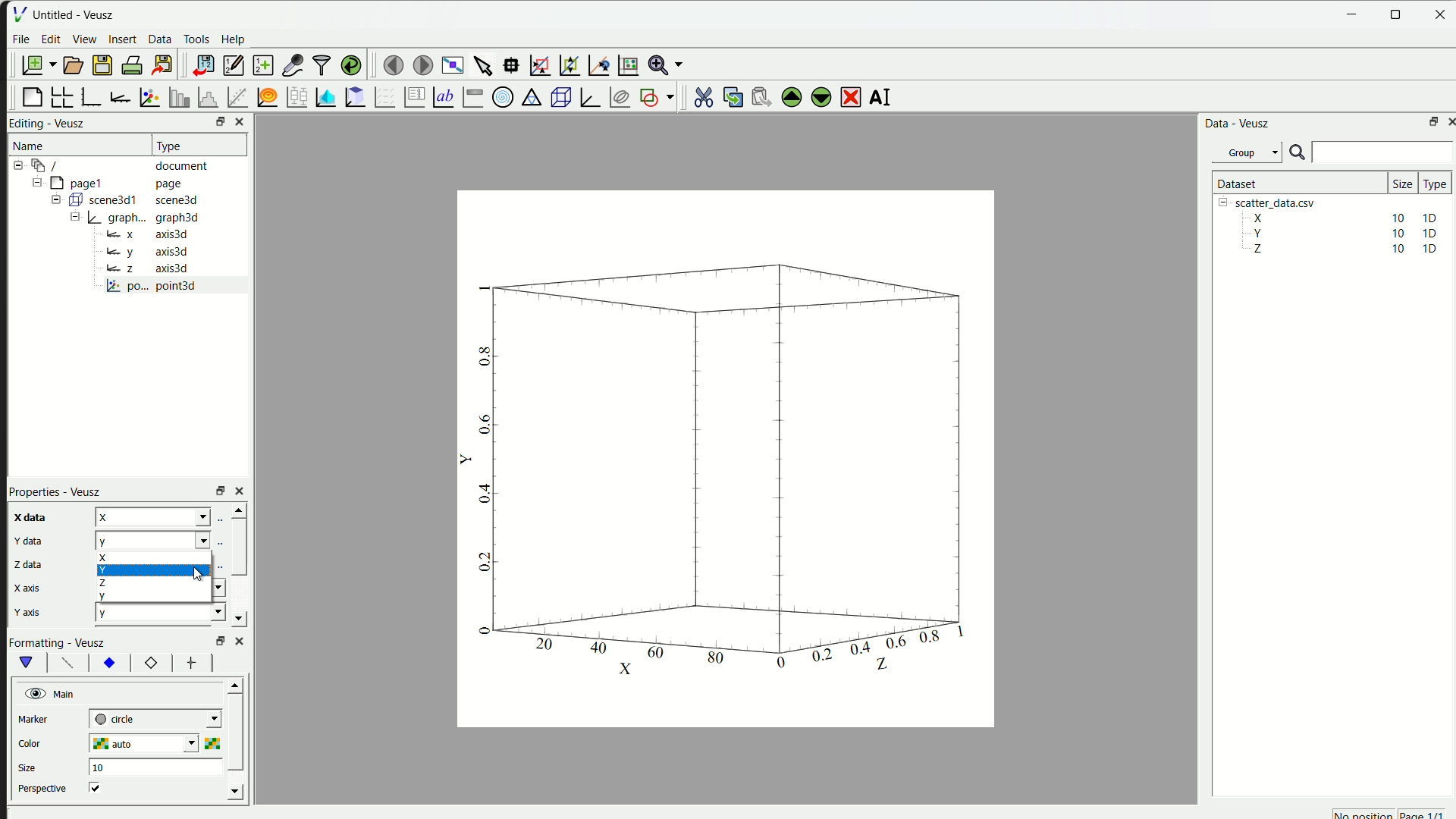 The height and width of the screenshot is (819, 1456). Describe the element at coordinates (29, 517) in the screenshot. I see `x data` at that location.